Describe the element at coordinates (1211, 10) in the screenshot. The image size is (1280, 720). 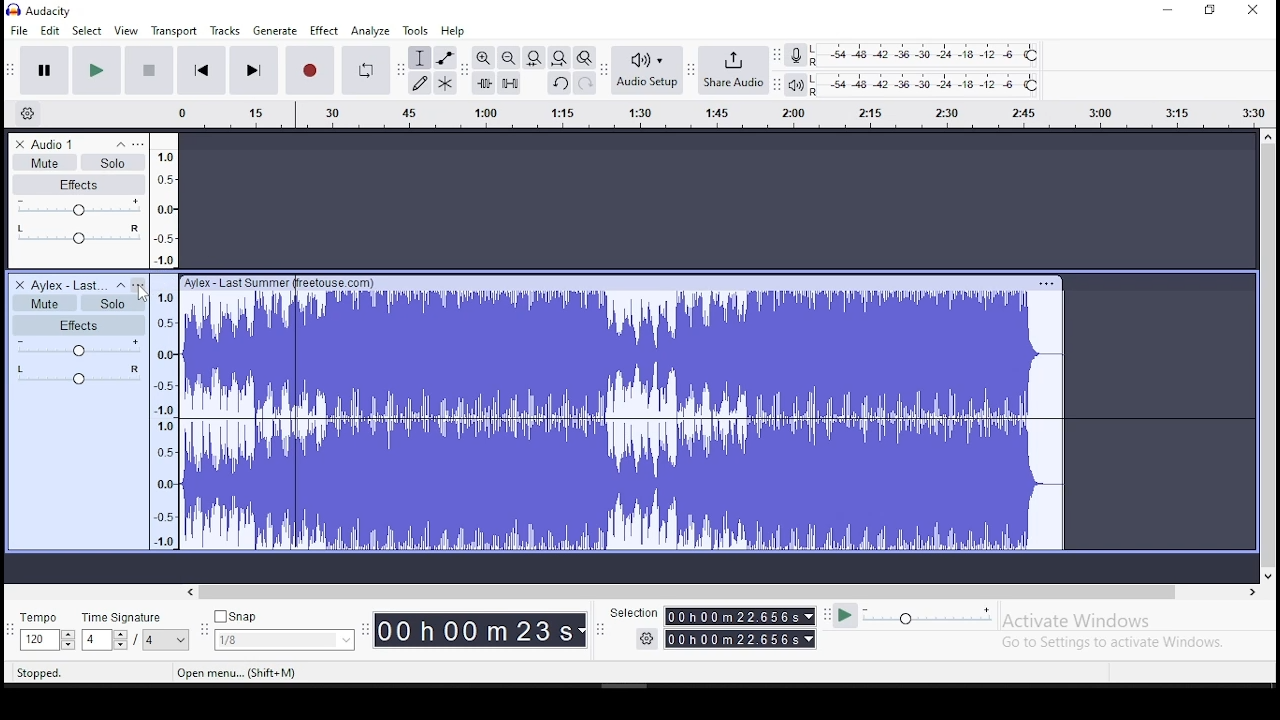
I see `restore` at that location.